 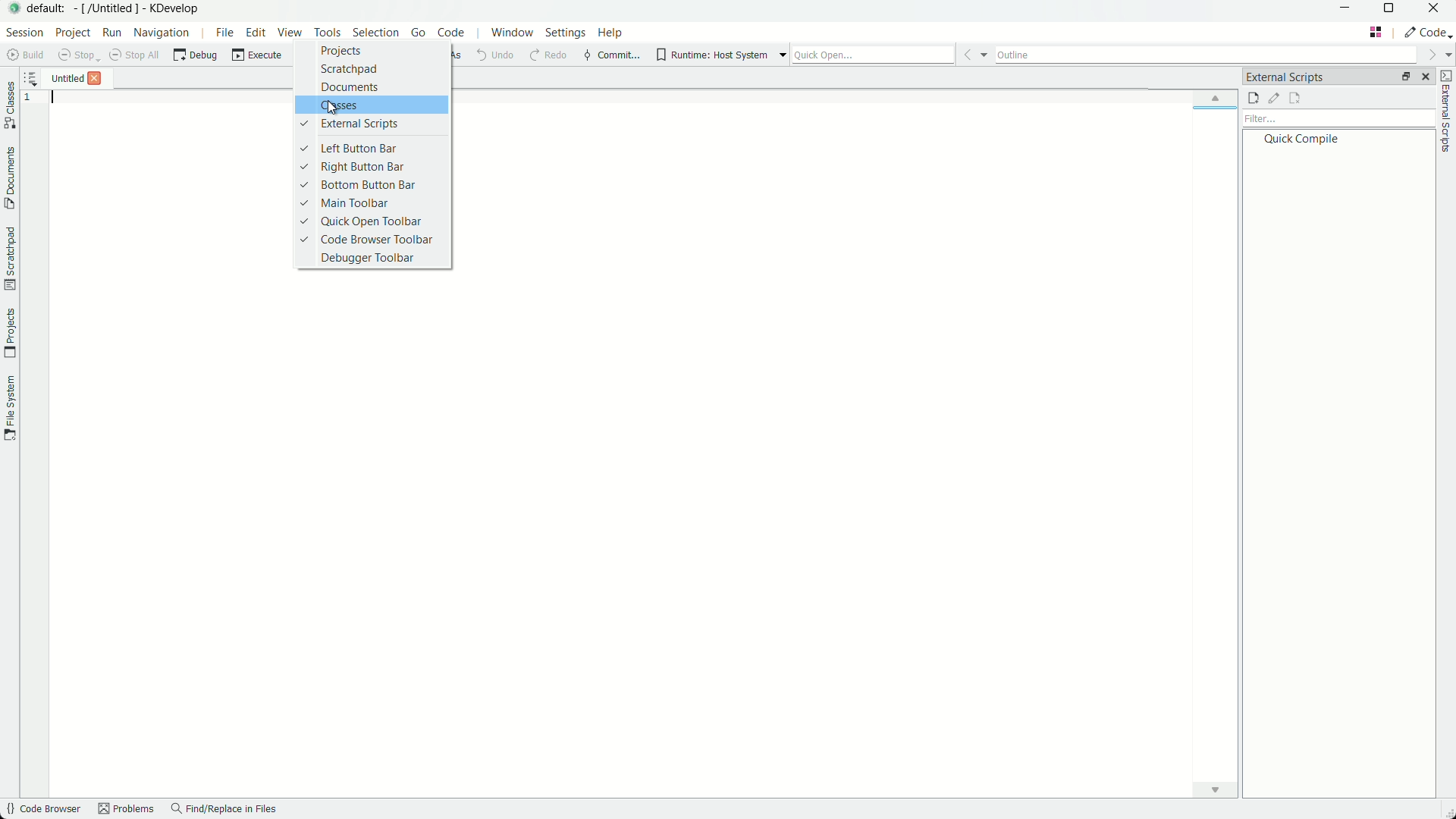 What do you see at coordinates (375, 33) in the screenshot?
I see `selection` at bounding box center [375, 33].